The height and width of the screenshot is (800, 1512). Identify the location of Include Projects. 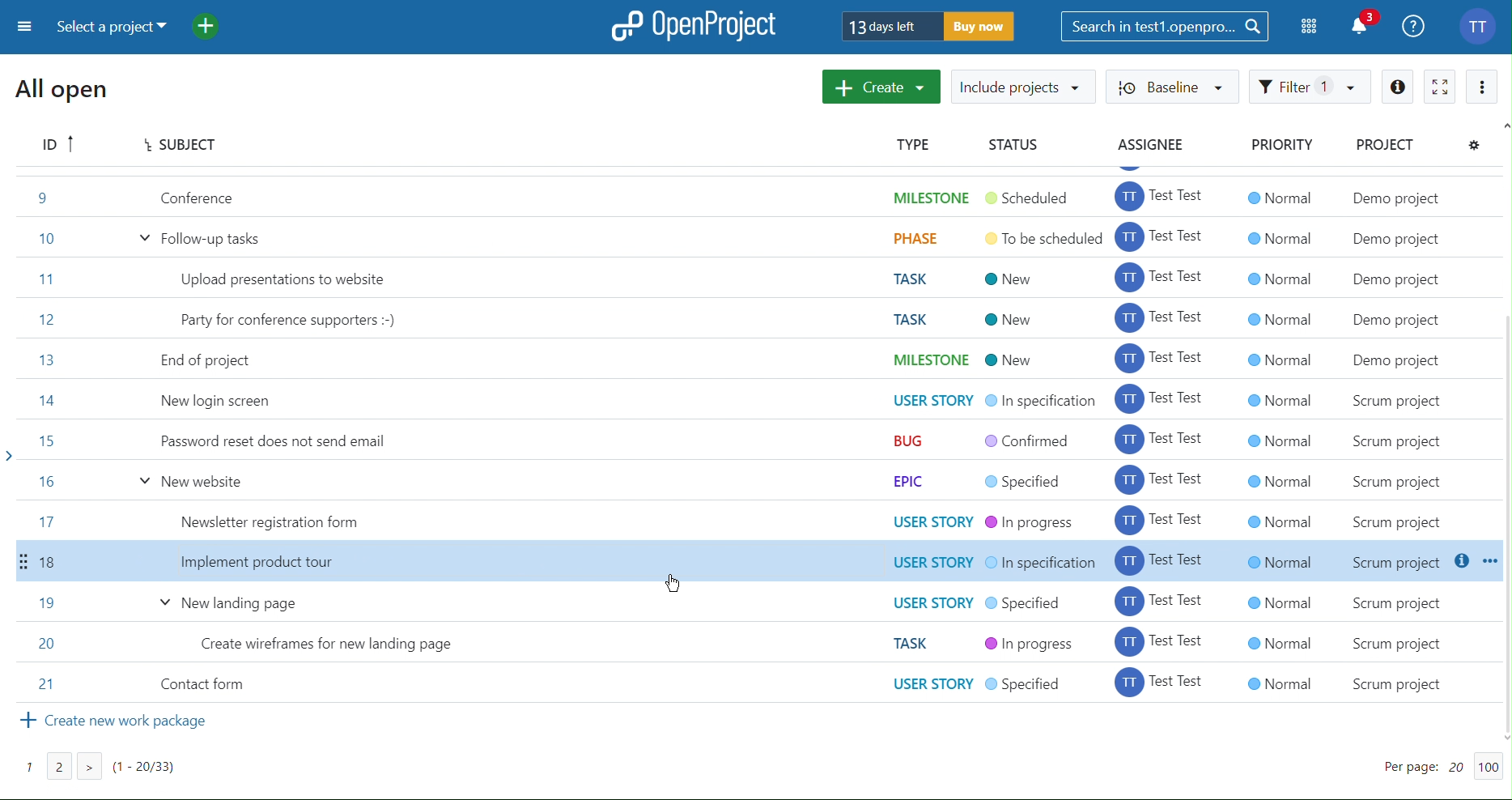
(1023, 86).